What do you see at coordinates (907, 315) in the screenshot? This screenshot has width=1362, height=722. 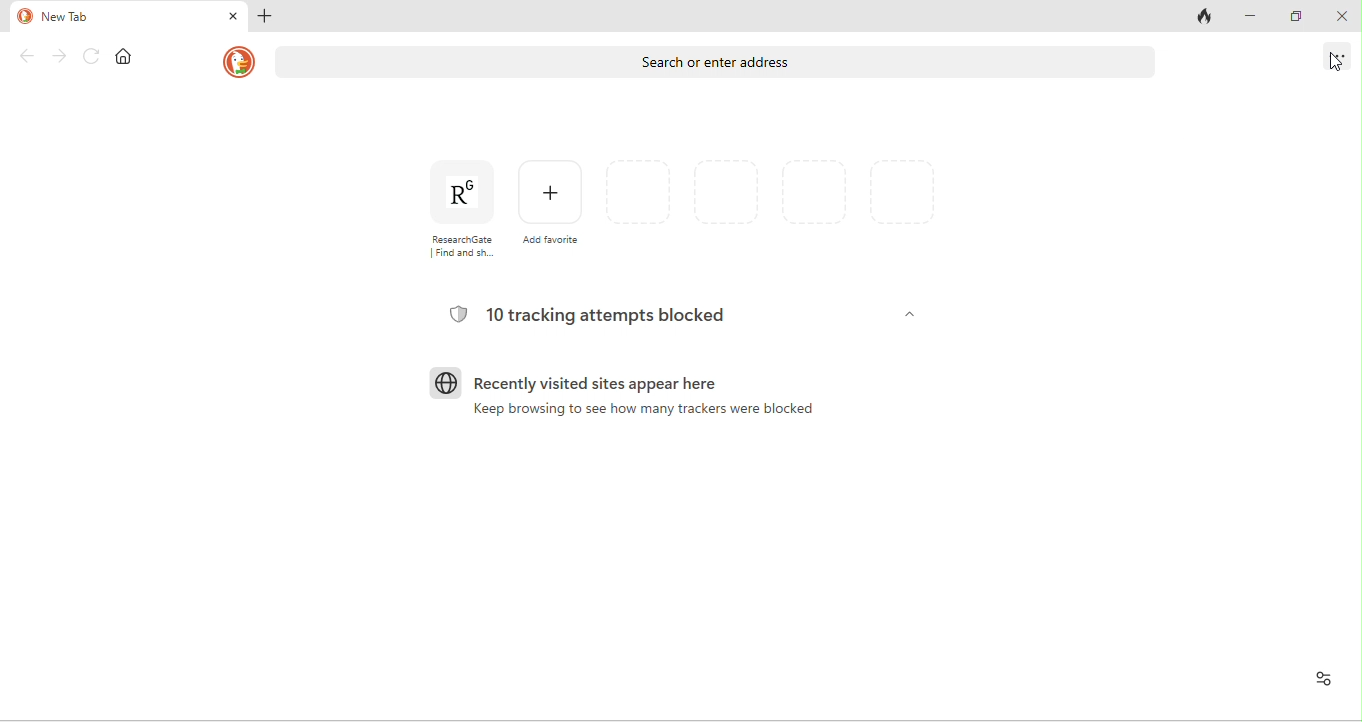 I see `dropdown` at bounding box center [907, 315].